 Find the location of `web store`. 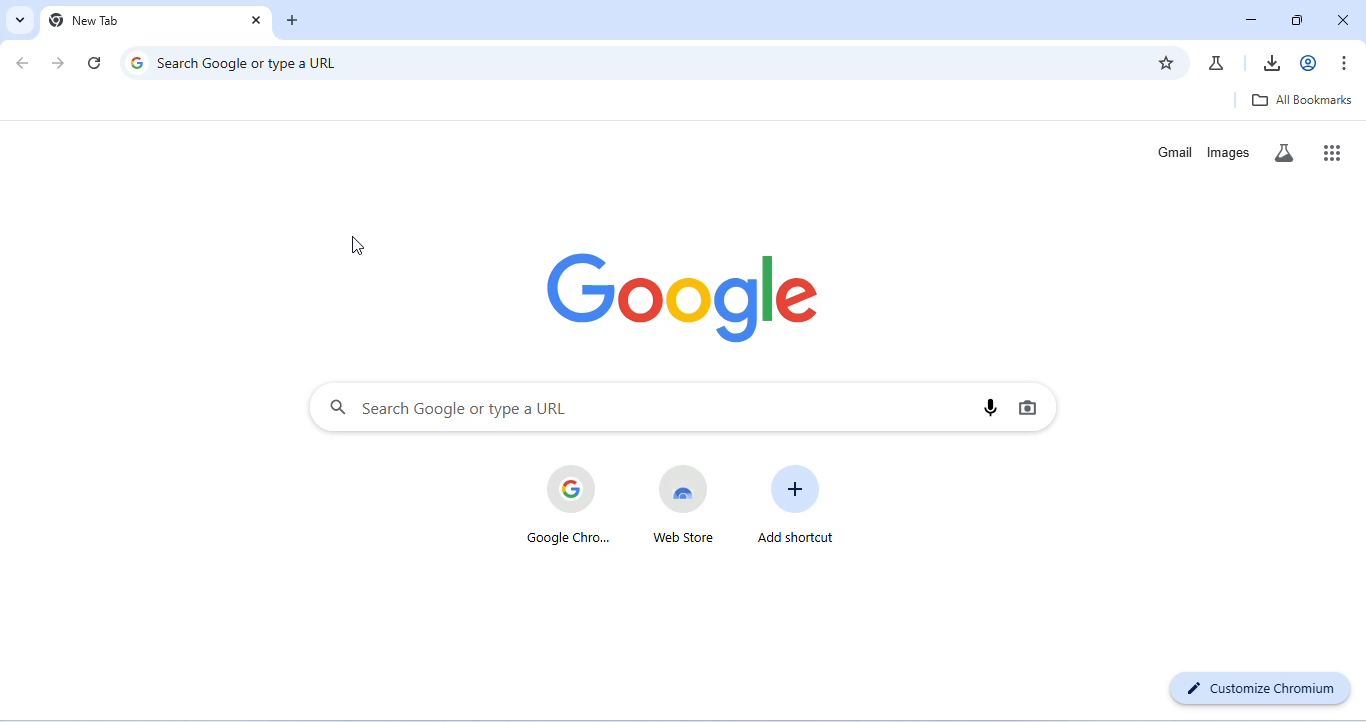

web store is located at coordinates (686, 504).